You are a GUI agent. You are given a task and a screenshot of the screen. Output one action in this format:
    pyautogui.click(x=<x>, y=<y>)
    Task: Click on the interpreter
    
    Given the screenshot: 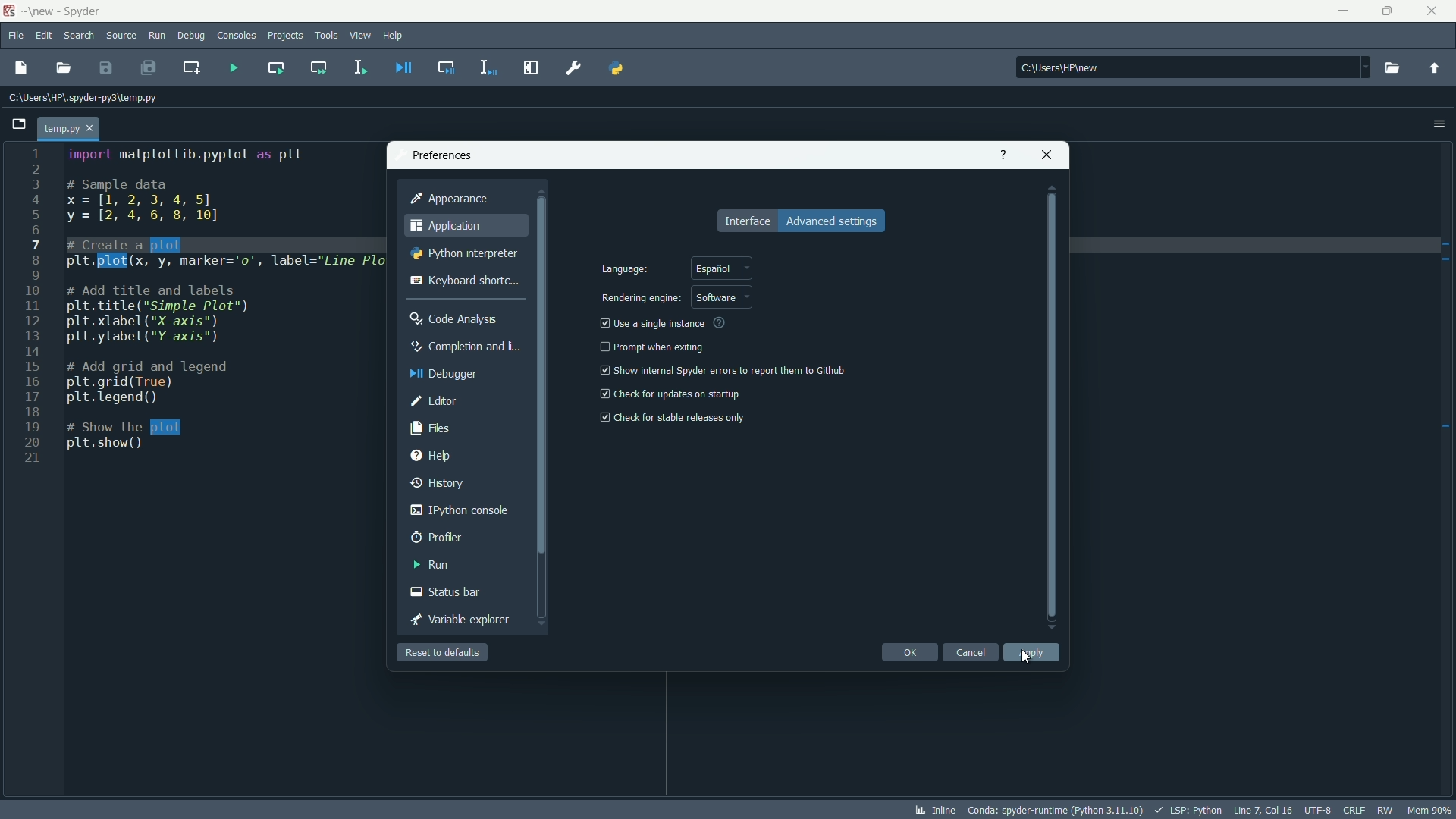 What is the action you would take?
    pyautogui.click(x=1056, y=810)
    